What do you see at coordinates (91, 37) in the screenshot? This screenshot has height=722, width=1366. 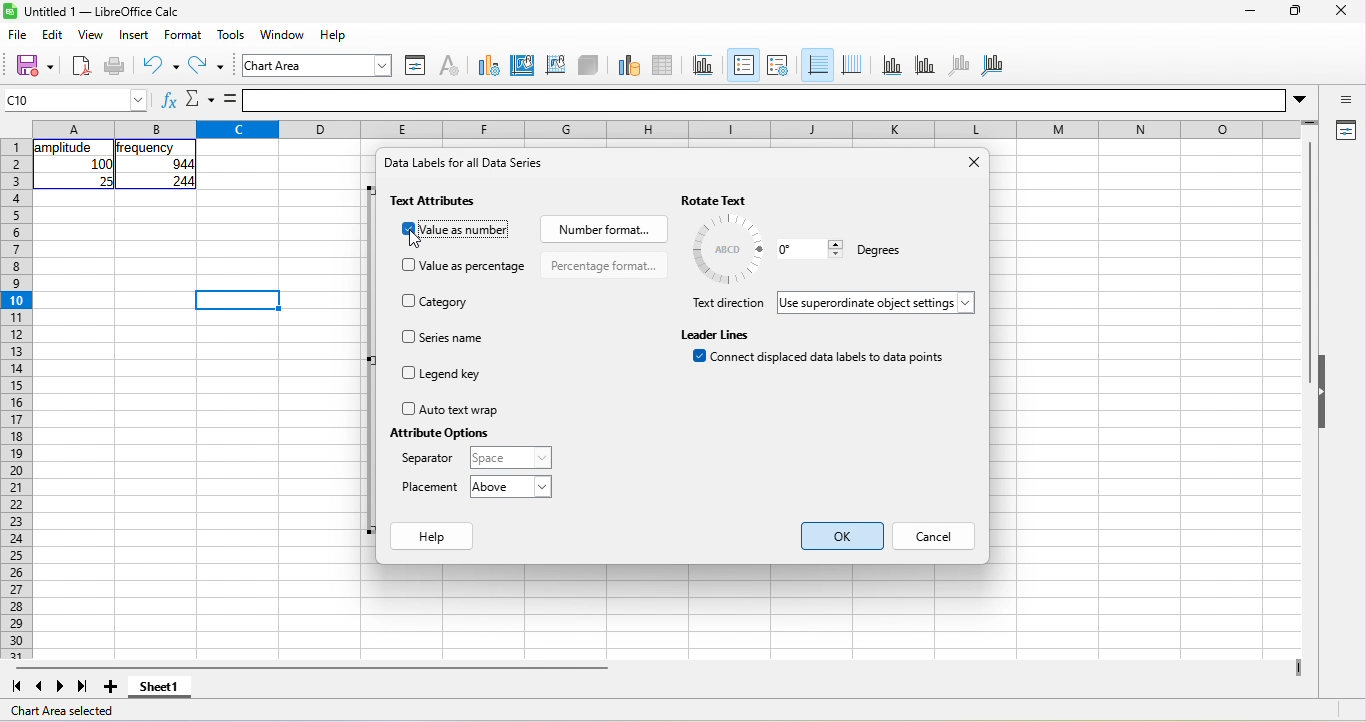 I see `view` at bounding box center [91, 37].